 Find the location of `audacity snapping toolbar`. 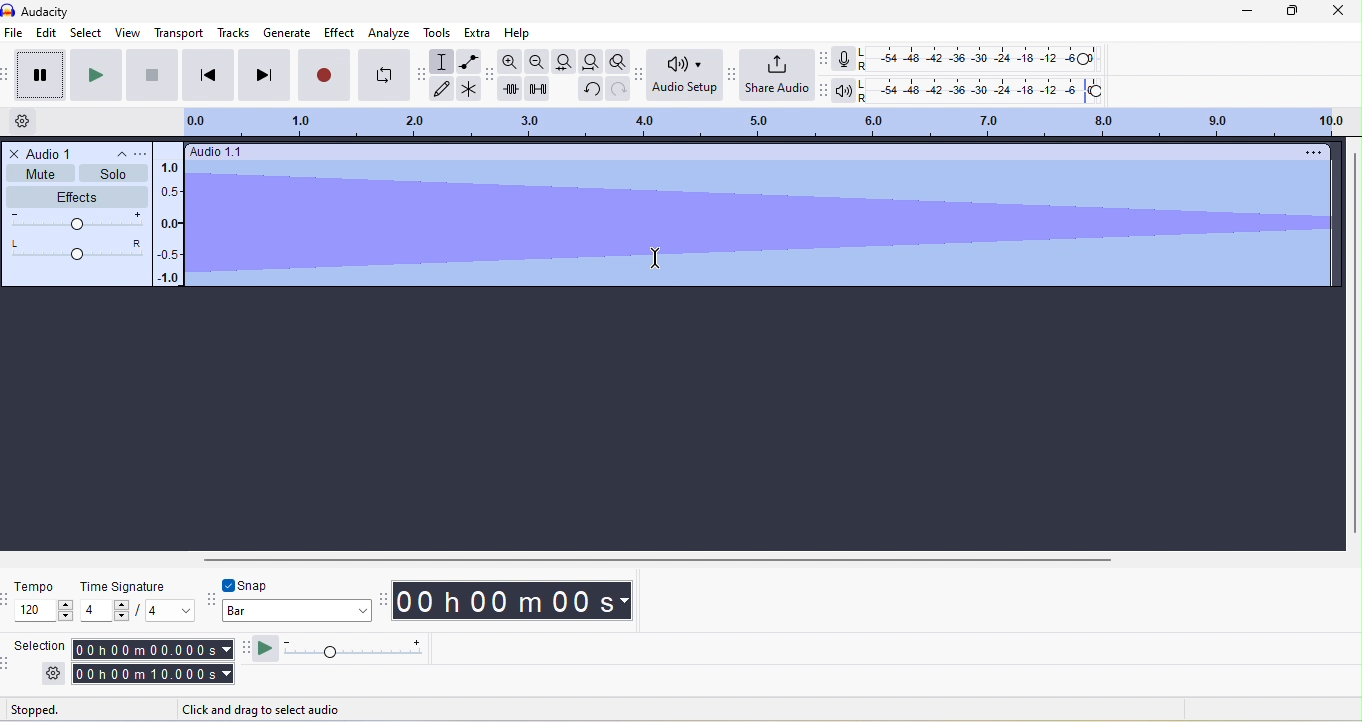

audacity snapping toolbar is located at coordinates (213, 597).